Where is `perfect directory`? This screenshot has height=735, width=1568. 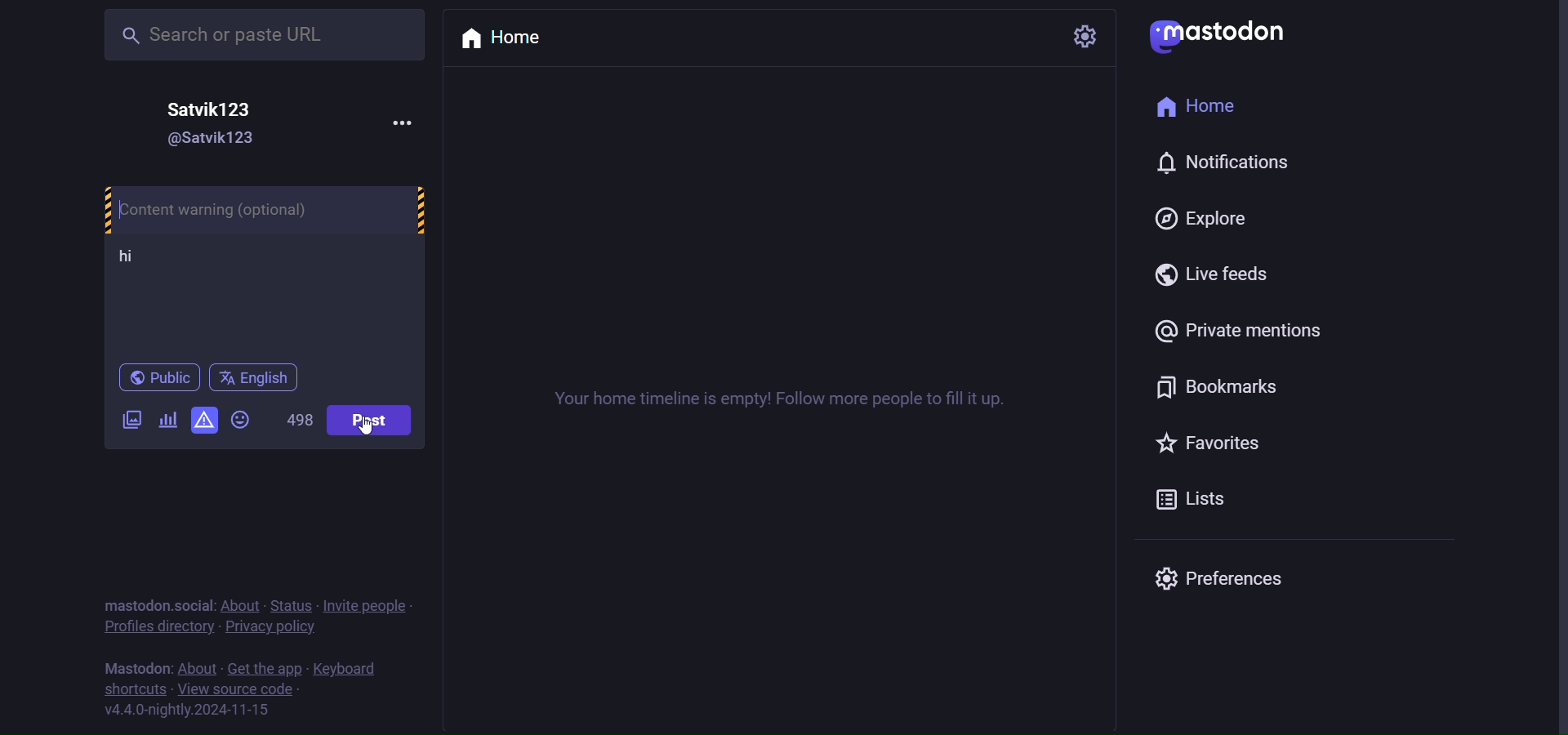 perfect directory is located at coordinates (155, 628).